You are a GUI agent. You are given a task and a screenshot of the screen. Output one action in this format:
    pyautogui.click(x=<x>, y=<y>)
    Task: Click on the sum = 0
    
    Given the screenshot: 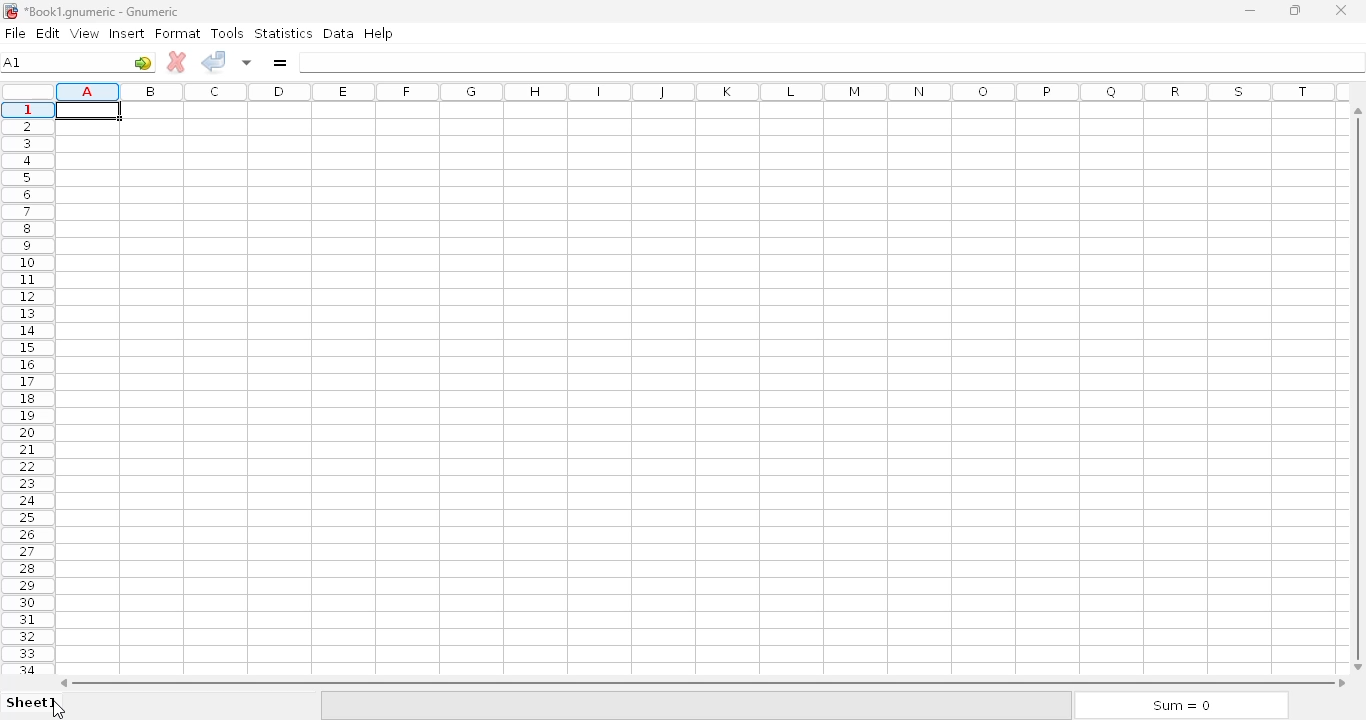 What is the action you would take?
    pyautogui.click(x=1181, y=706)
    